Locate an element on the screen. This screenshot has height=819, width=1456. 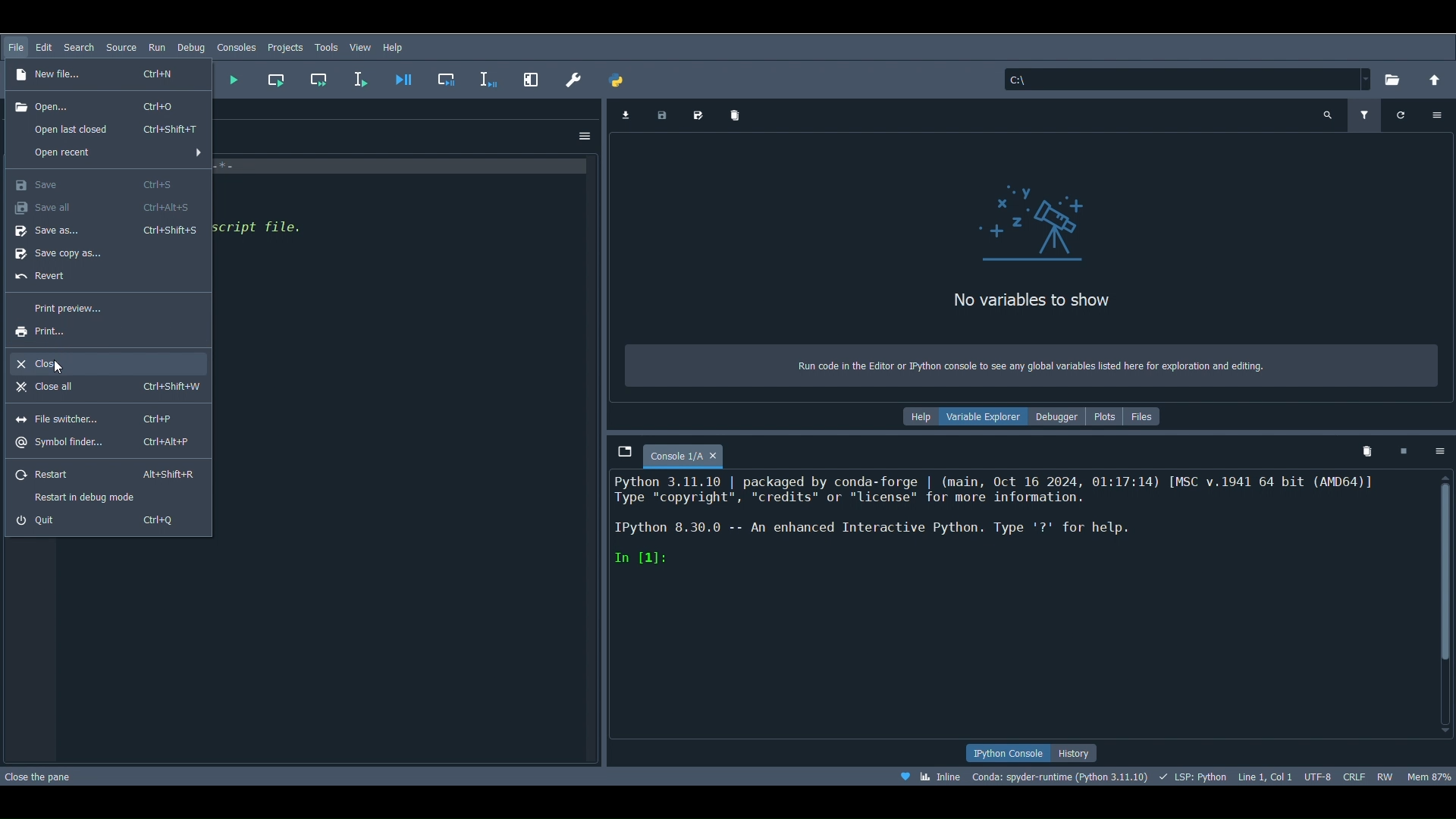
Save copy as is located at coordinates (69, 255).